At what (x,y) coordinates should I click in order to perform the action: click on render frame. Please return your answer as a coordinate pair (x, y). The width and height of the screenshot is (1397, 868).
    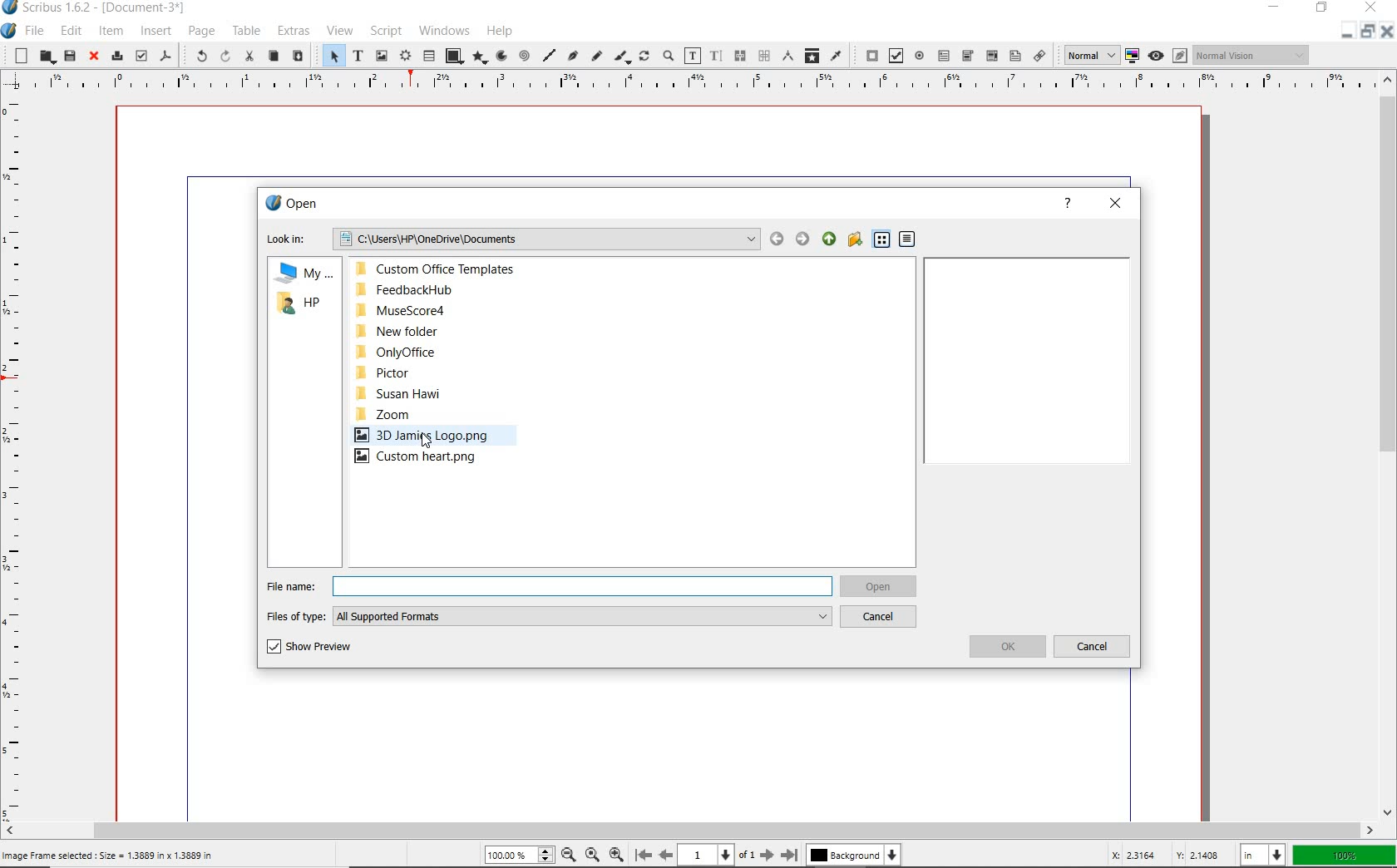
    Looking at the image, I should click on (405, 57).